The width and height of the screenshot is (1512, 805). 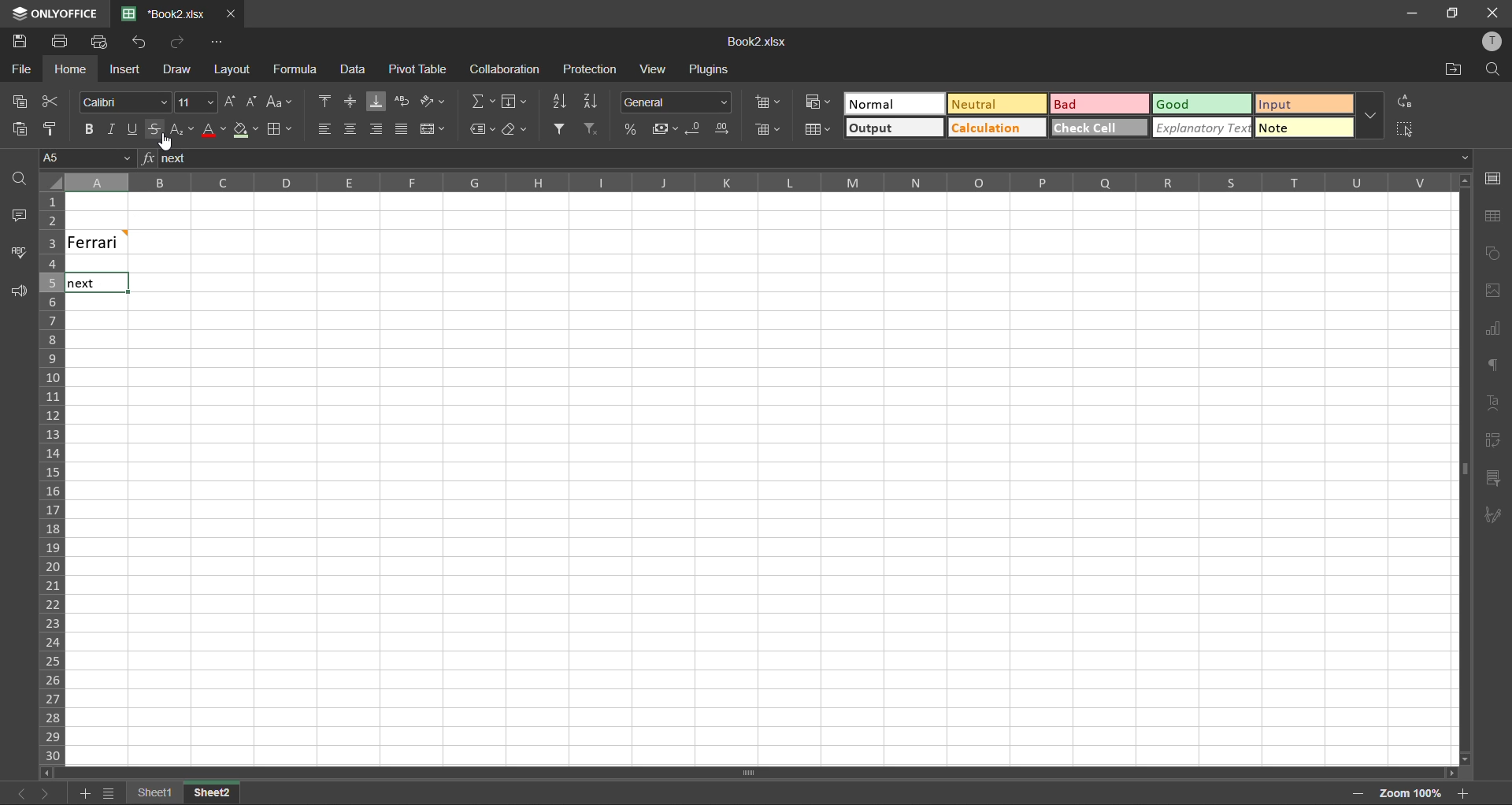 I want to click on fields, so click(x=516, y=102).